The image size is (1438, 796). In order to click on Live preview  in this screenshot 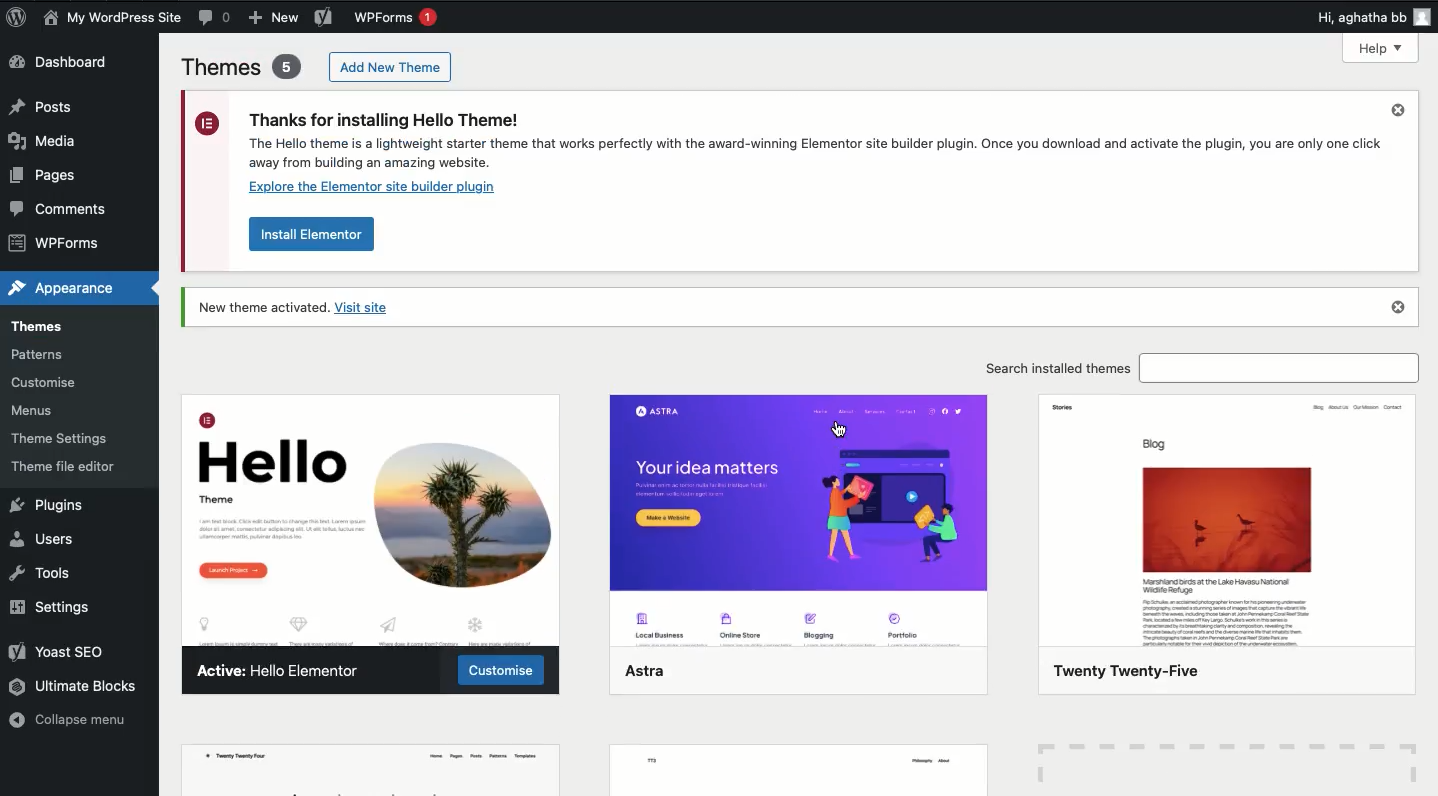, I will do `click(923, 414)`.